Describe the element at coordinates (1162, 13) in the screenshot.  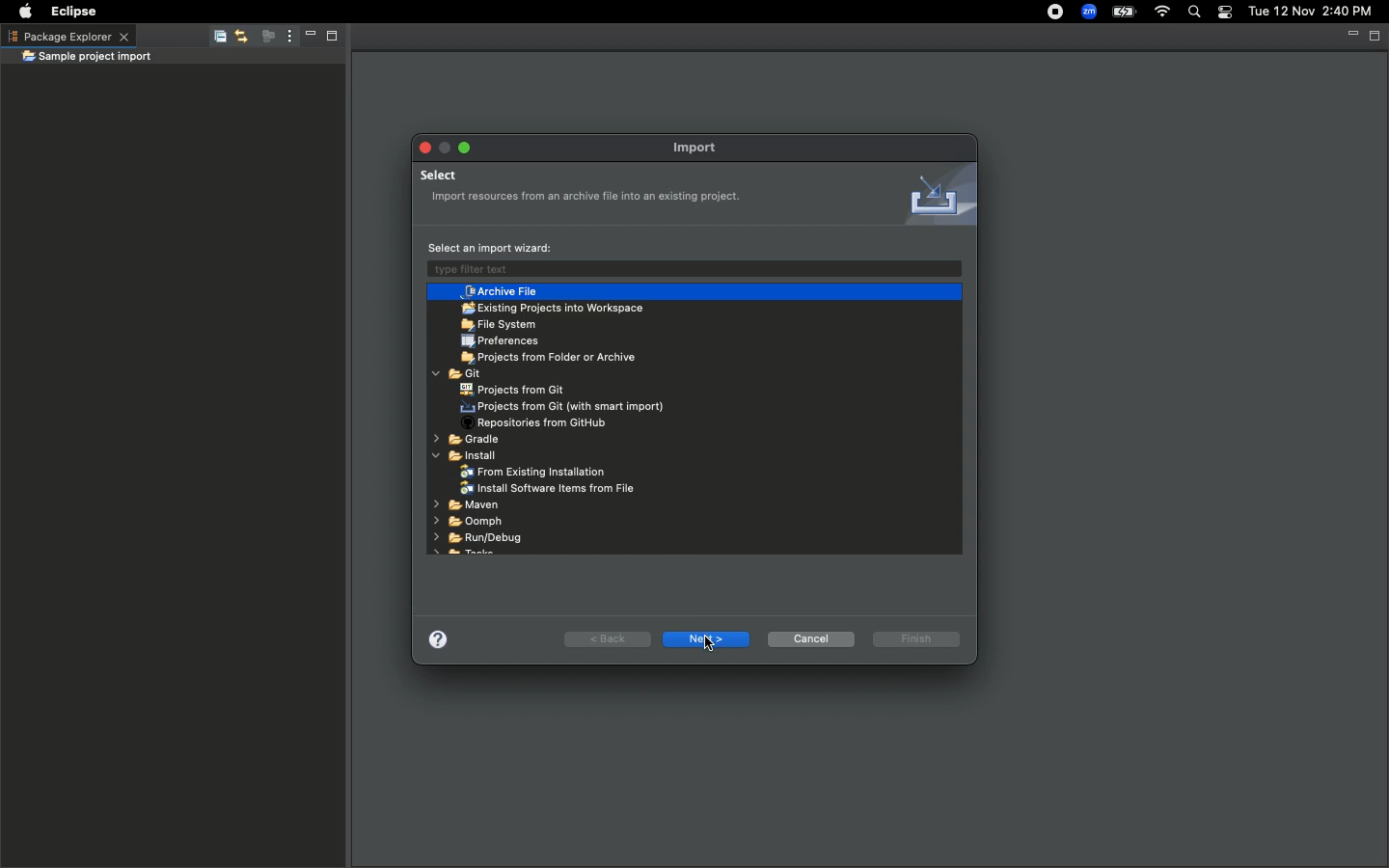
I see `Internet` at that location.